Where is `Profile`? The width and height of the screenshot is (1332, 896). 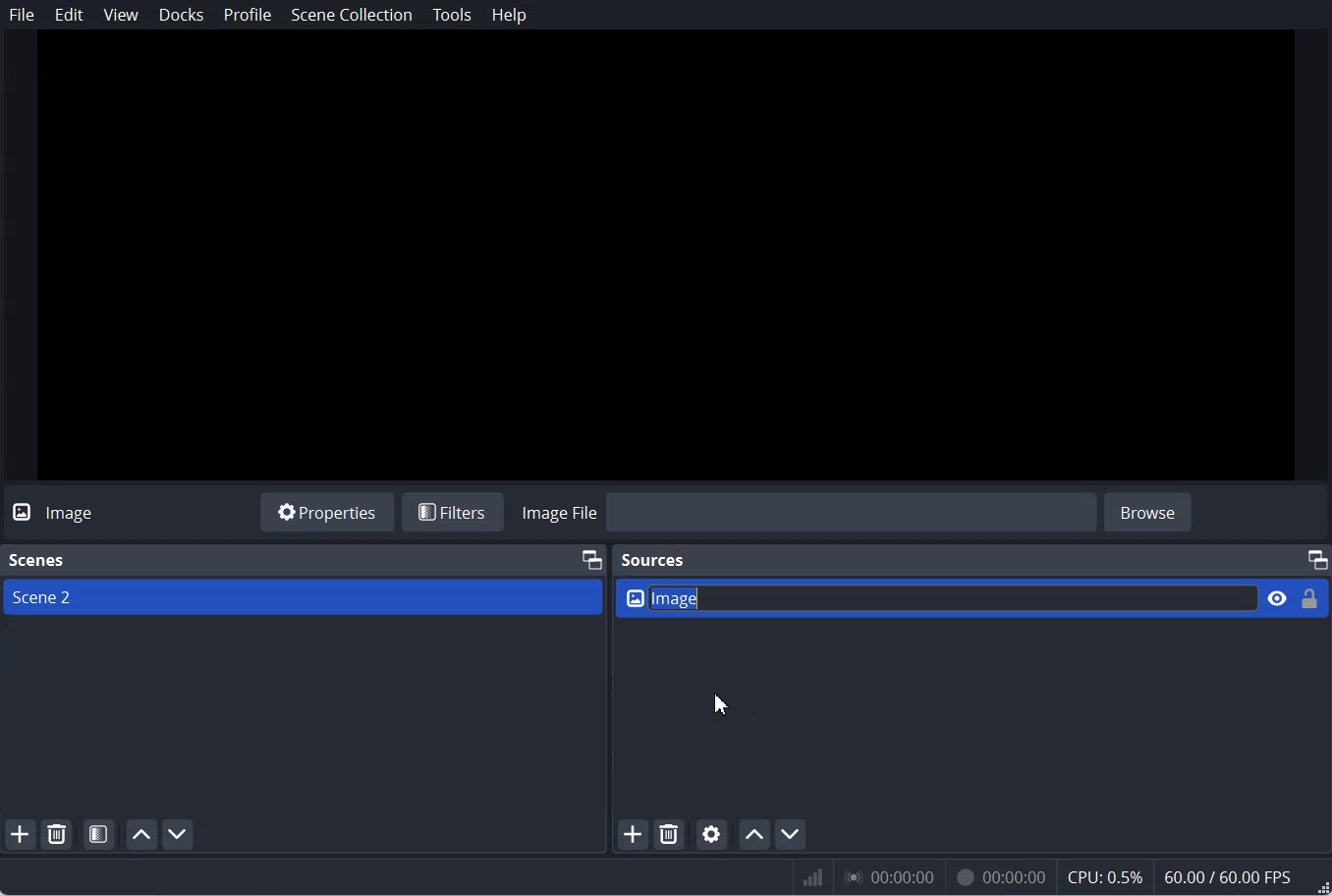 Profile is located at coordinates (247, 16).